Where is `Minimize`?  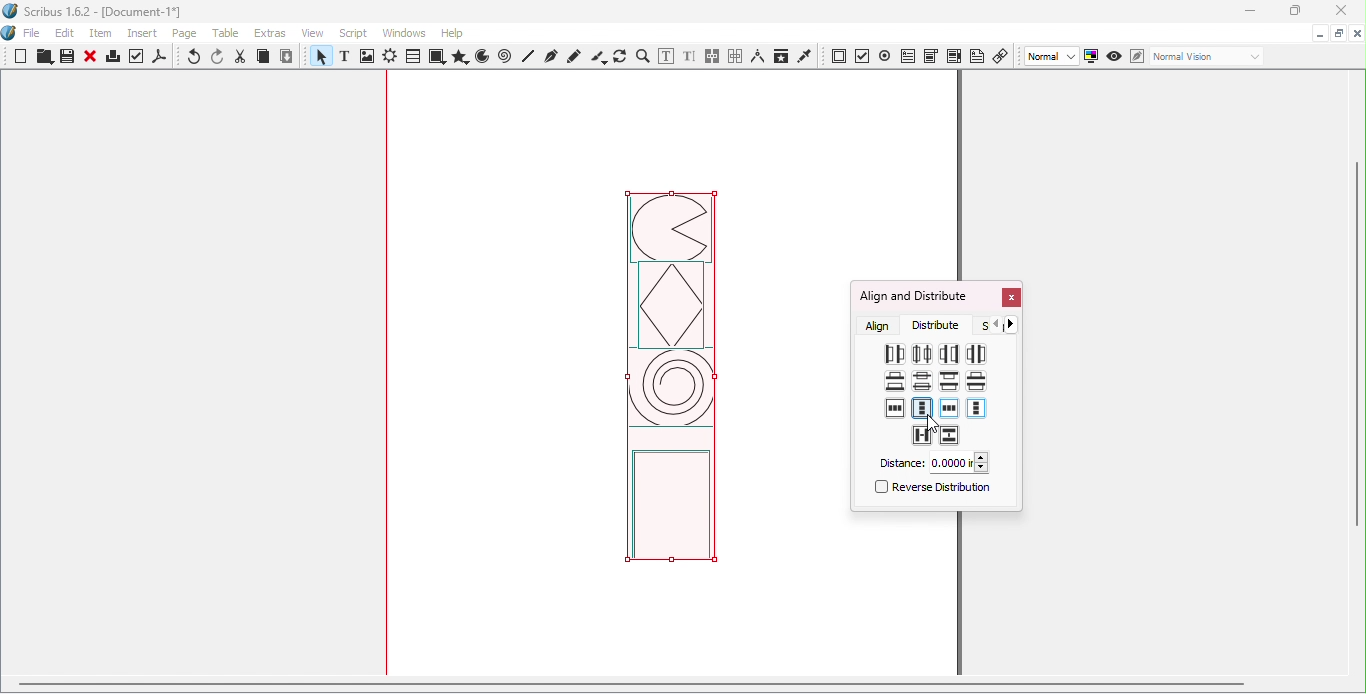
Minimize is located at coordinates (1249, 12).